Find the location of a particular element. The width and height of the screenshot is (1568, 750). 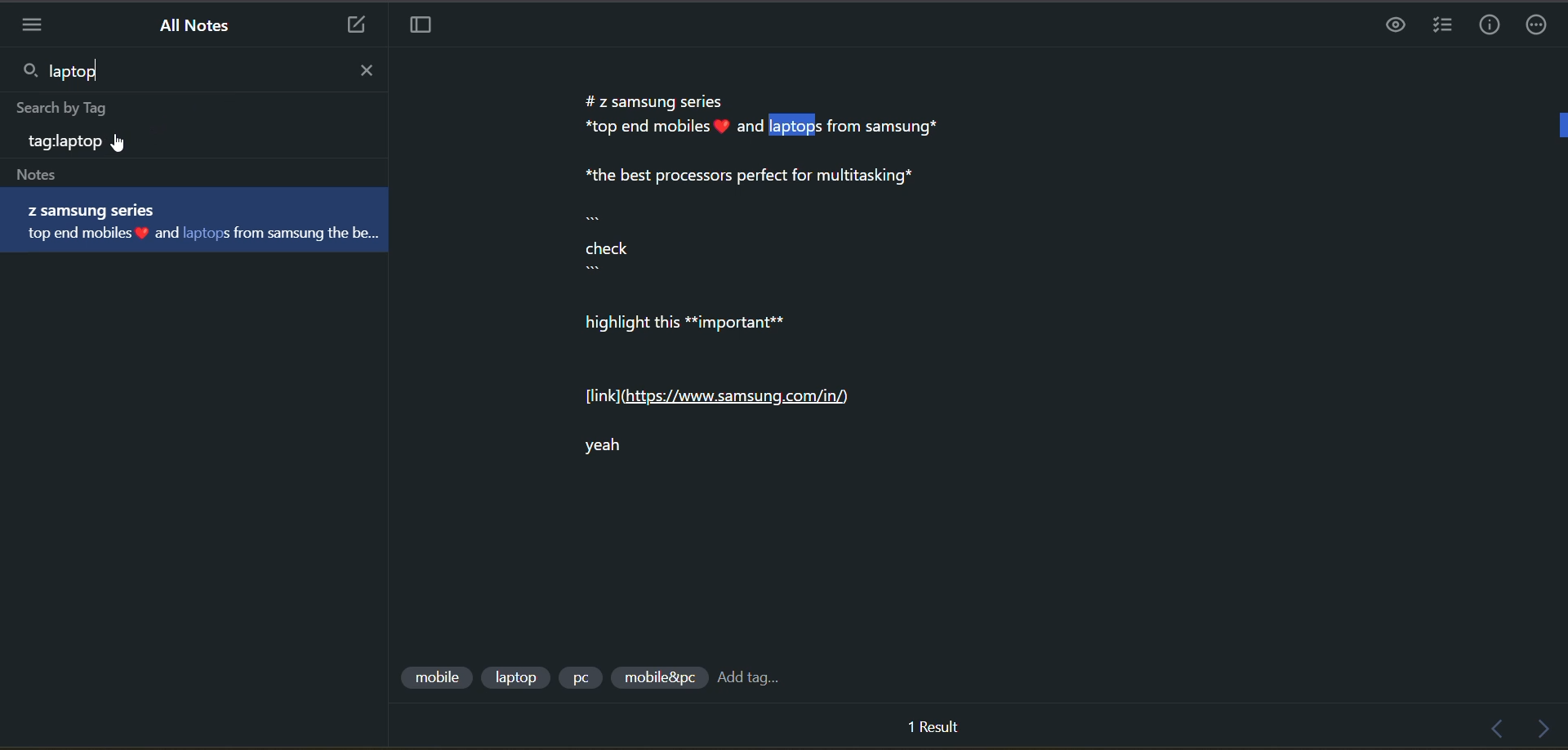

result details is located at coordinates (933, 726).